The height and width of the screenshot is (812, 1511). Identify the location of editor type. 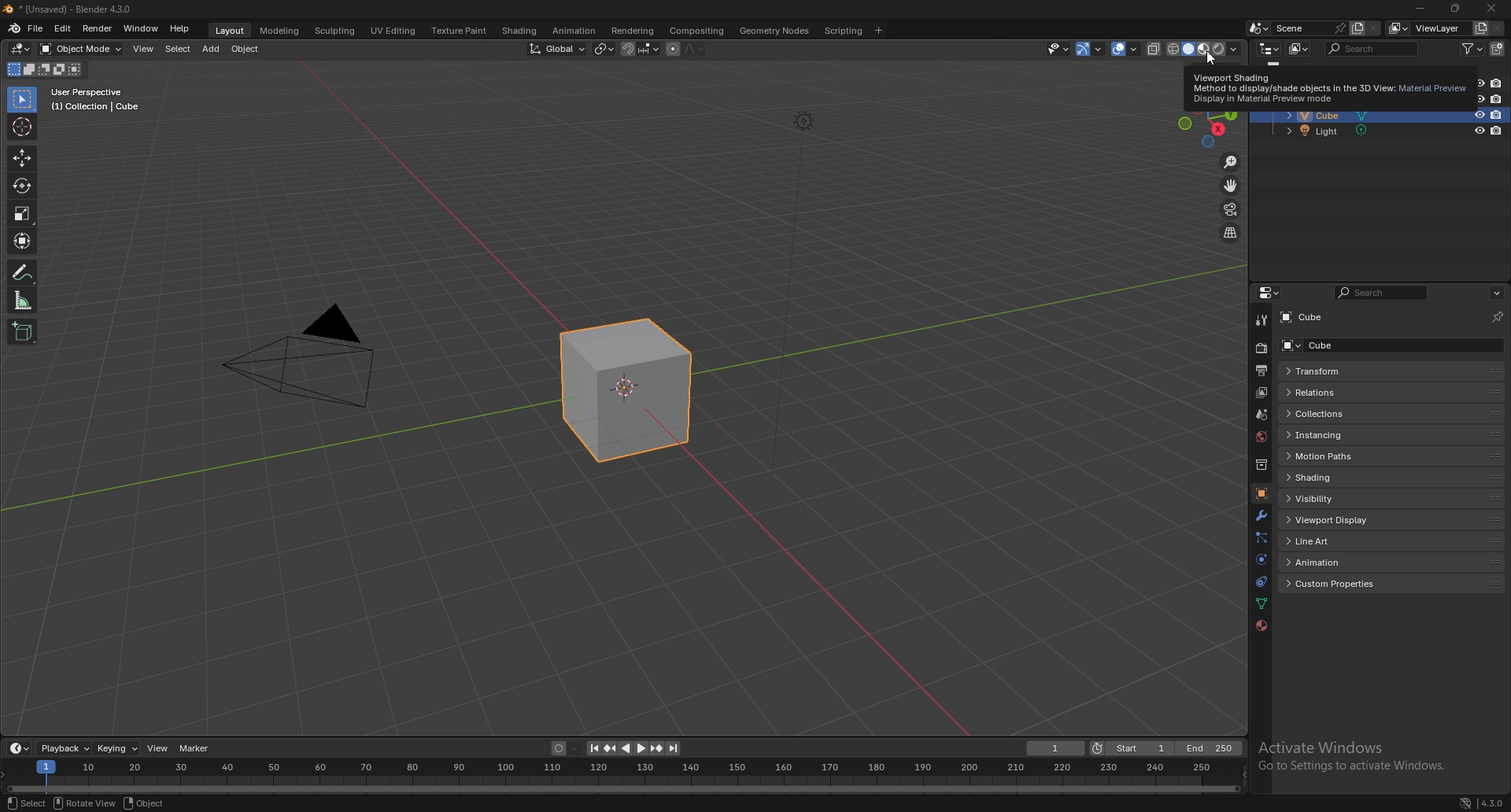
(19, 748).